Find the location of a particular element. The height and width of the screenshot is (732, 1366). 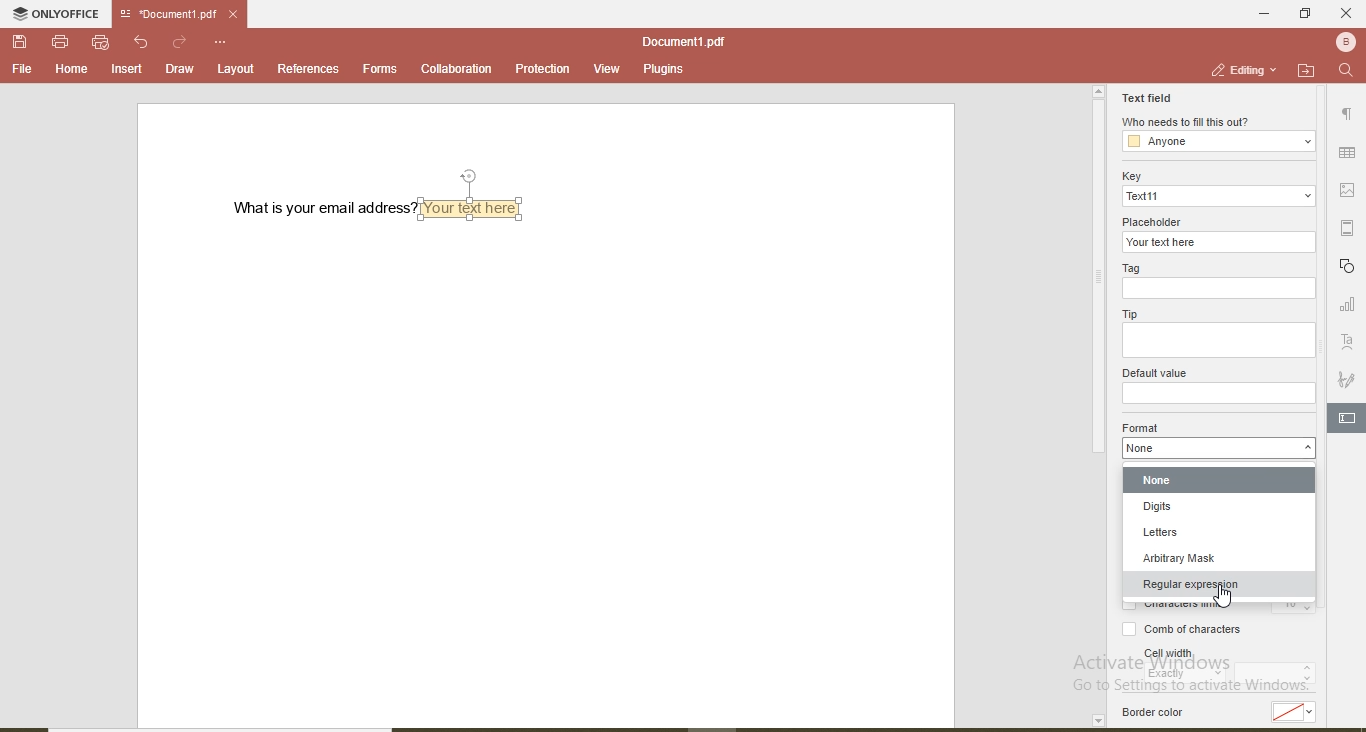

shapes is located at coordinates (1349, 267).